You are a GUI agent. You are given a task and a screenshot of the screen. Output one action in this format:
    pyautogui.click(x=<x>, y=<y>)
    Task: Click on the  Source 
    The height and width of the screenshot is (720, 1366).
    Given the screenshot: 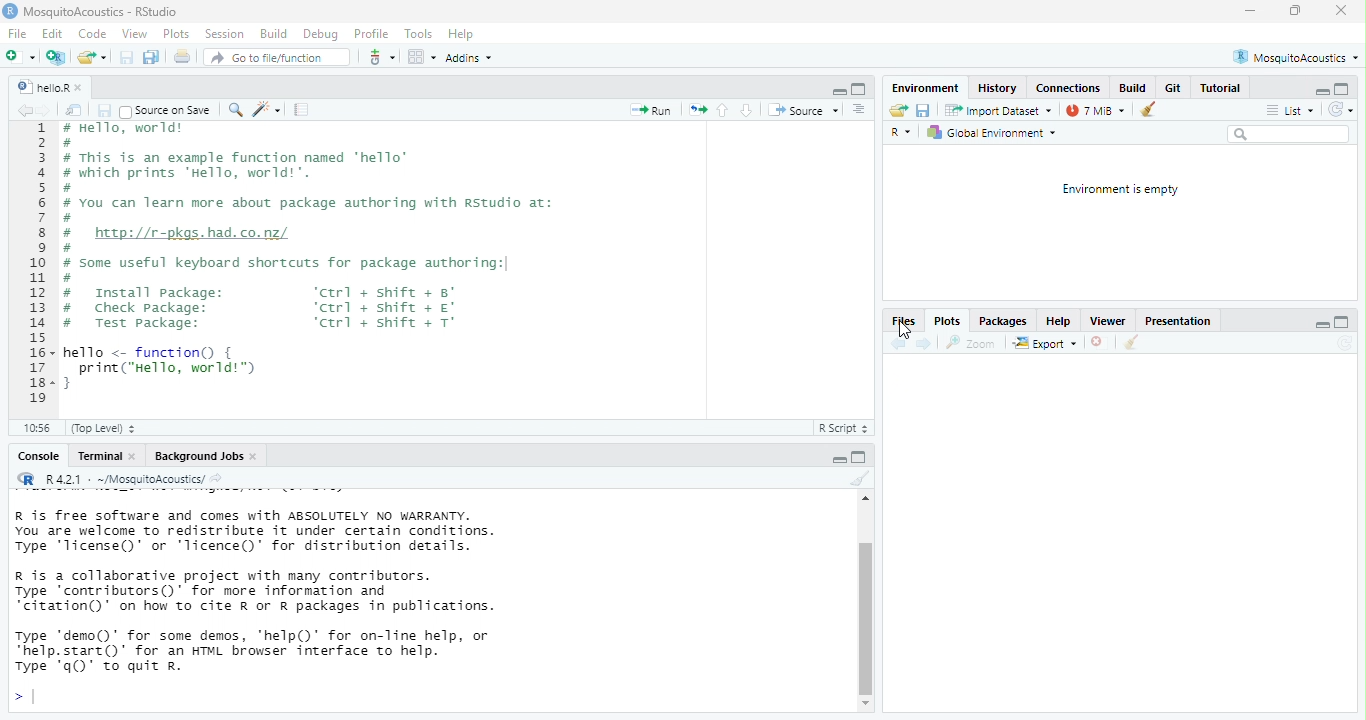 What is the action you would take?
    pyautogui.click(x=803, y=112)
    